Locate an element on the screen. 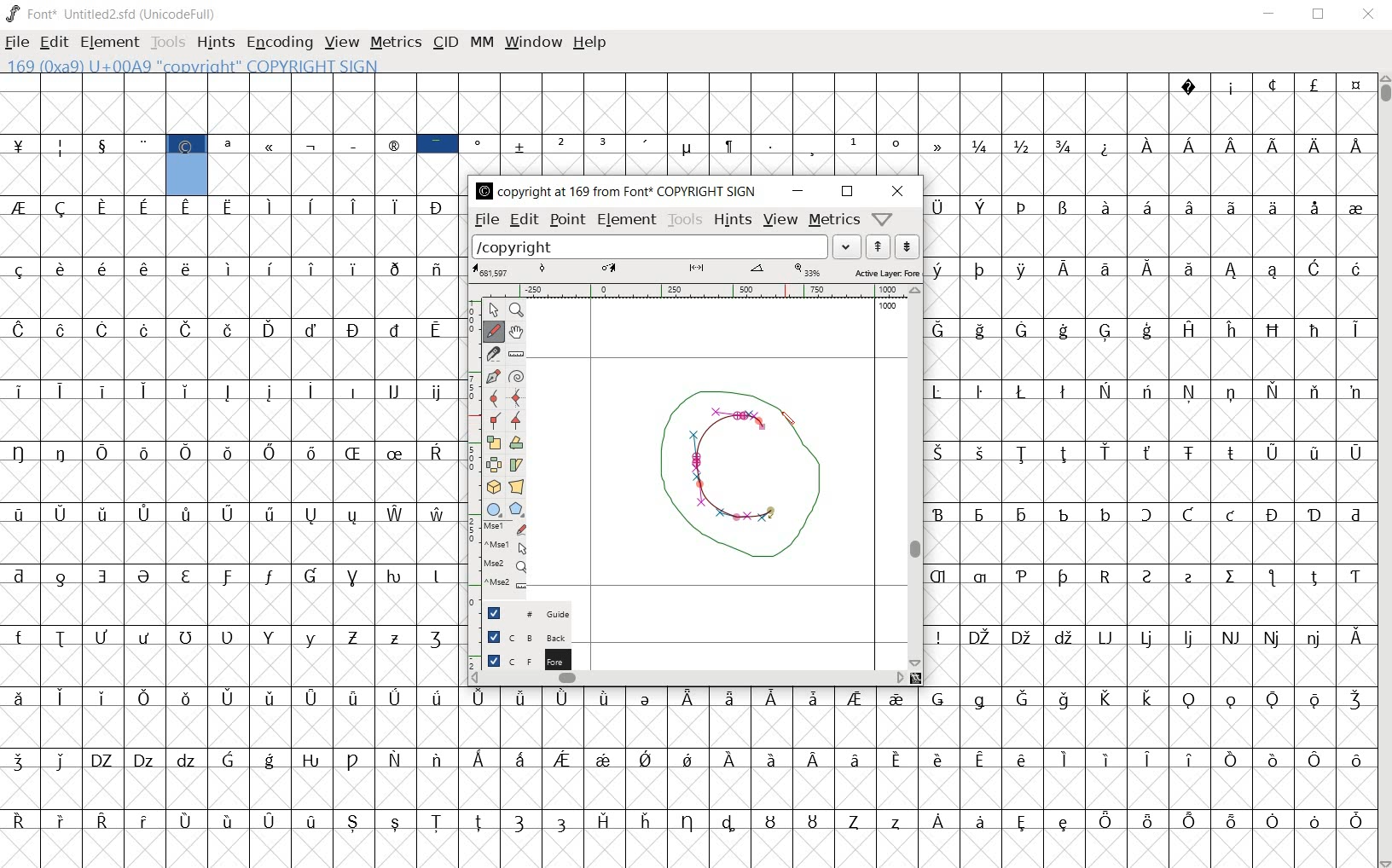  Add a corner point is located at coordinates (516, 421).